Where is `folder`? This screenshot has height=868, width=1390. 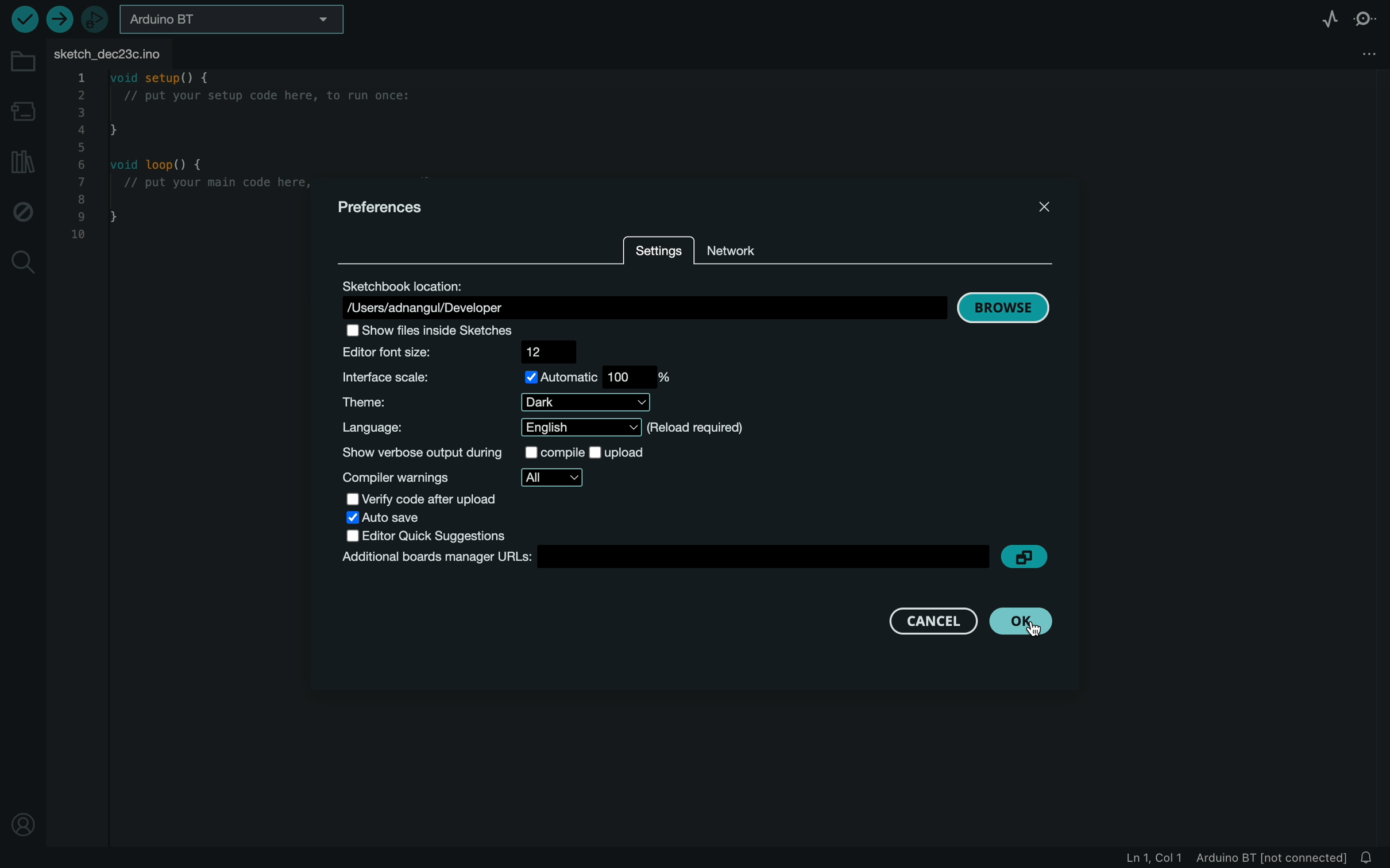 folder is located at coordinates (23, 64).